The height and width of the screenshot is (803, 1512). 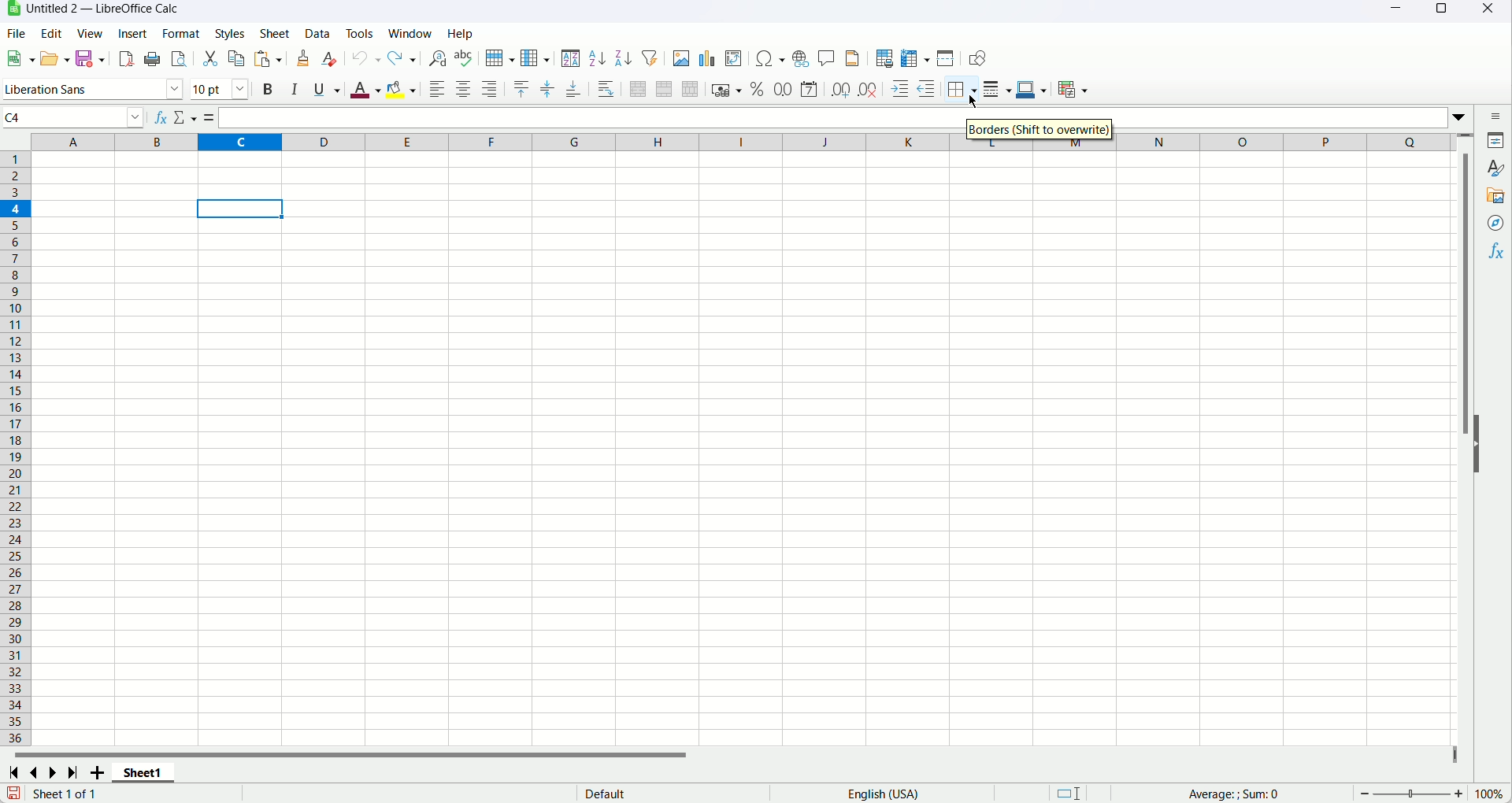 I want to click on Sidebar settings, so click(x=1490, y=116).